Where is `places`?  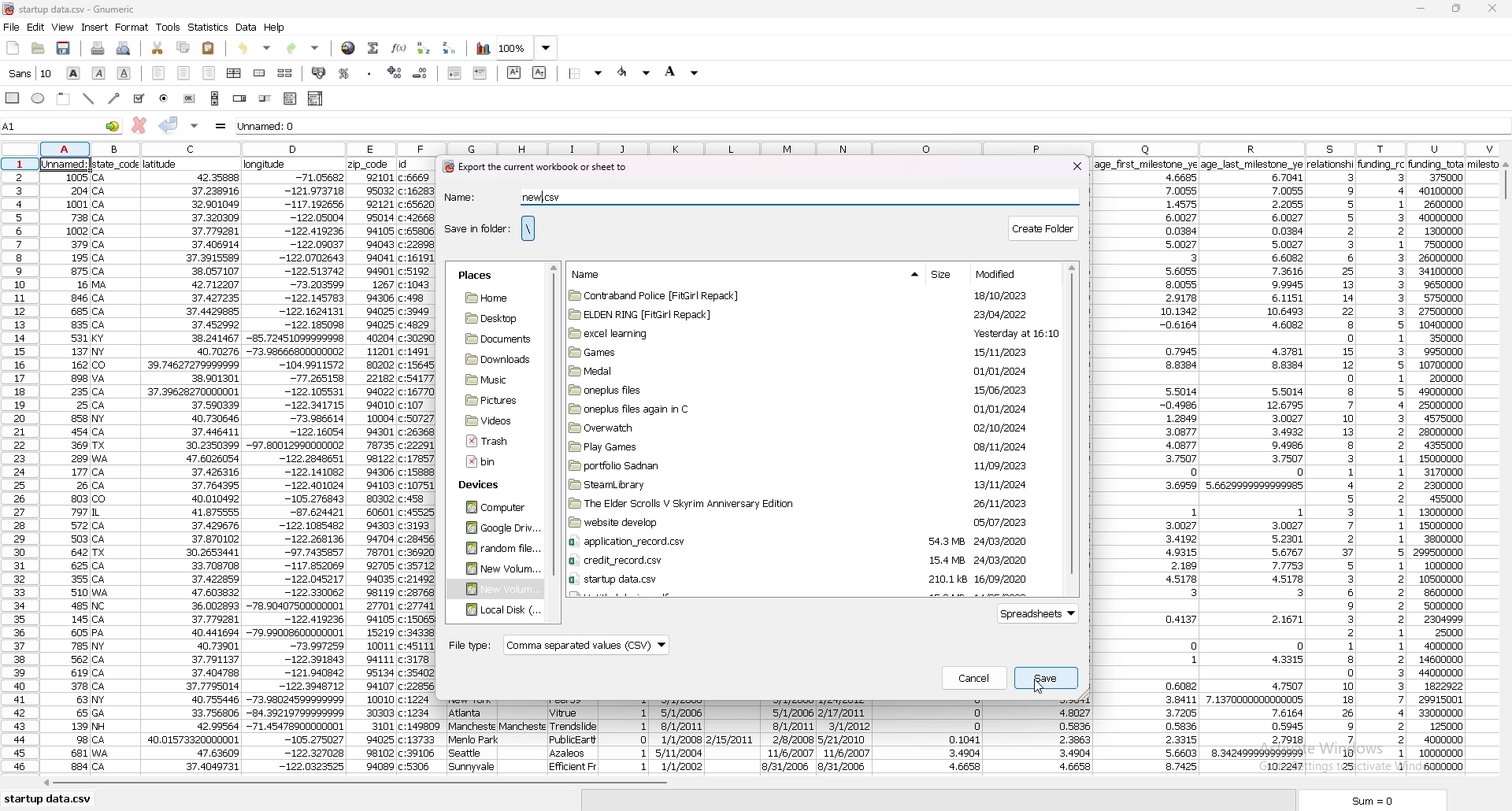
places is located at coordinates (475, 276).